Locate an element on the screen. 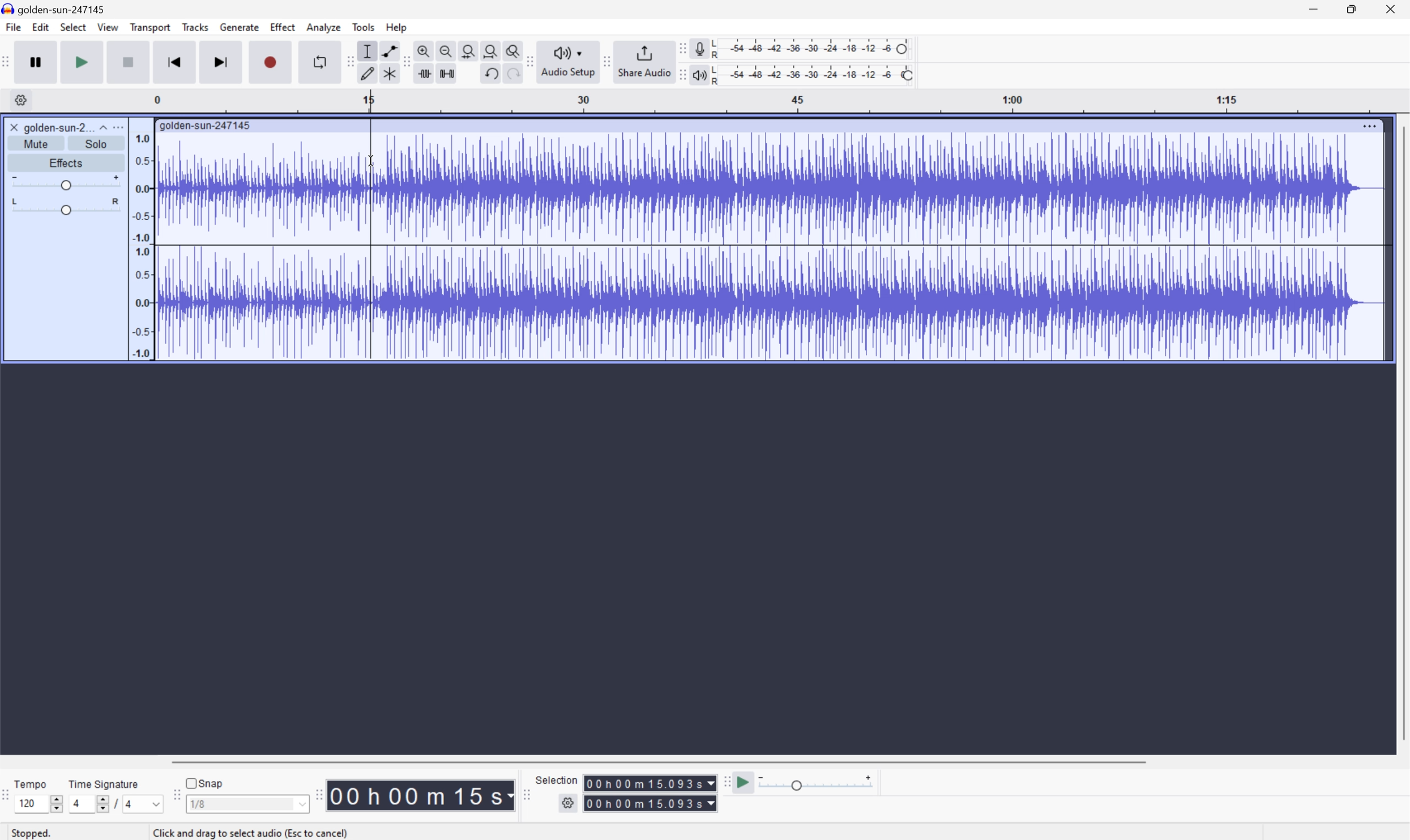 The height and width of the screenshot is (840, 1410). Audacity tools toolbar is located at coordinates (403, 61).